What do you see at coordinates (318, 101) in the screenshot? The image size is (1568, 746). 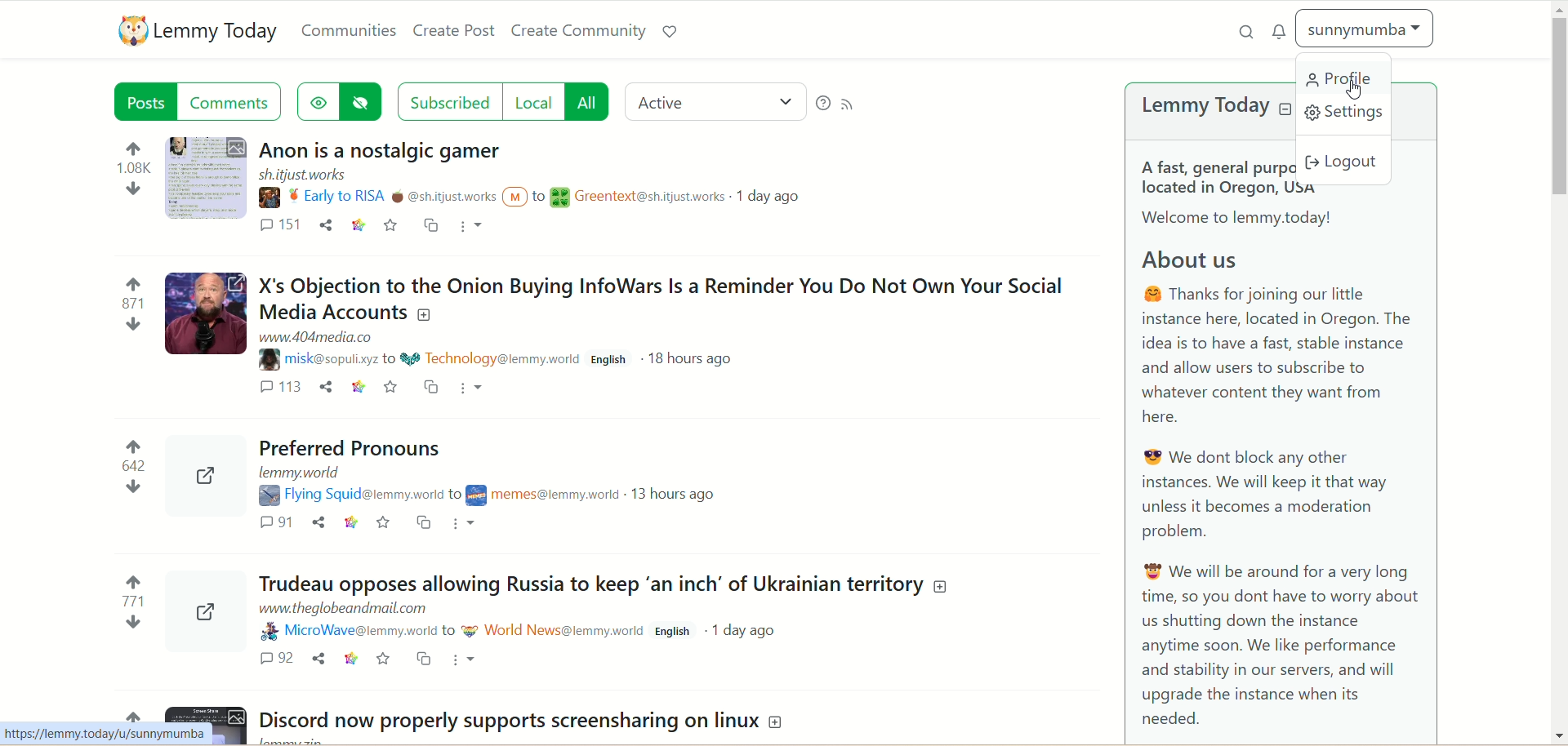 I see `show hidden post` at bounding box center [318, 101].